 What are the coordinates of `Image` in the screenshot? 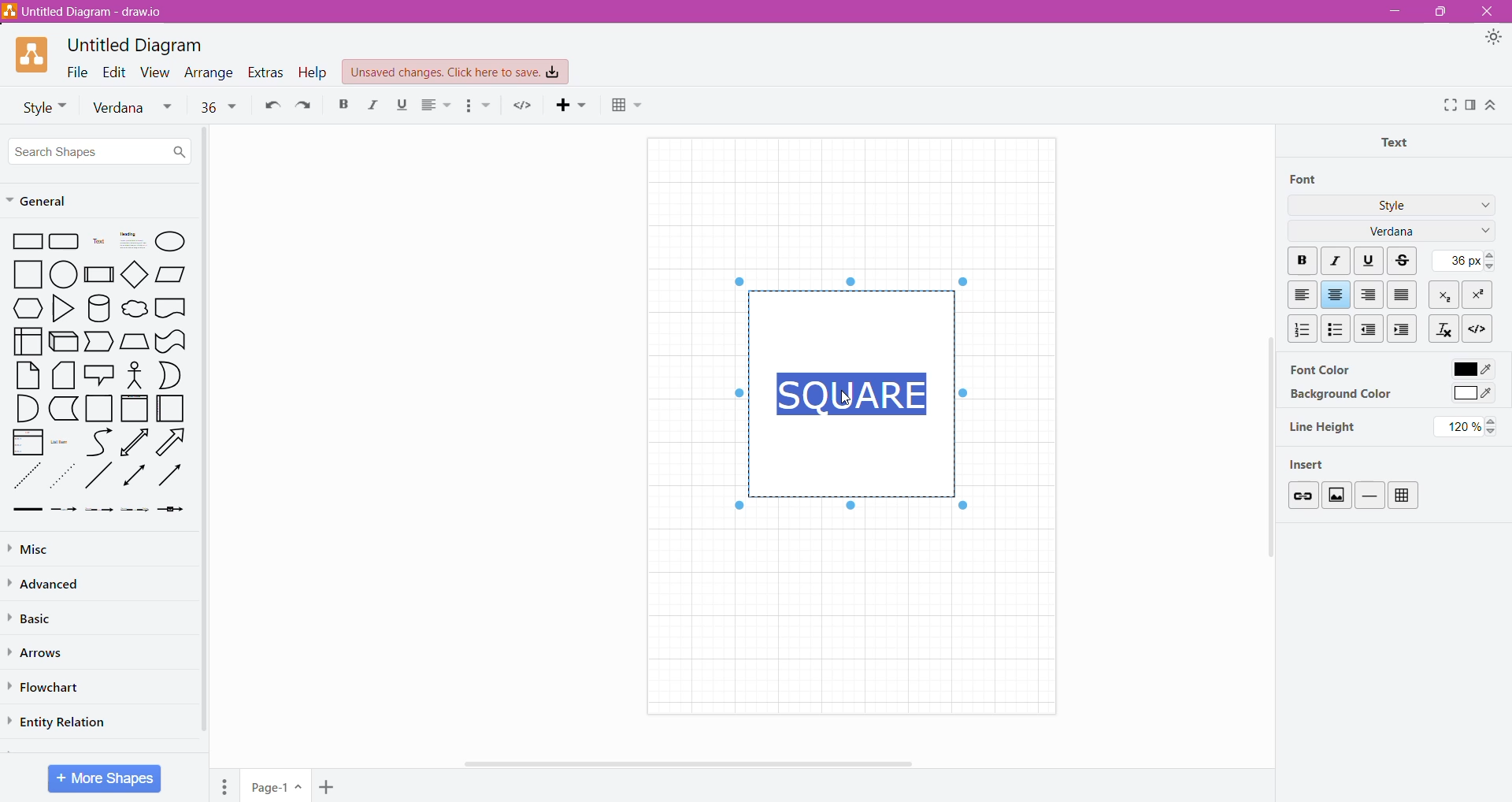 It's located at (1336, 495).